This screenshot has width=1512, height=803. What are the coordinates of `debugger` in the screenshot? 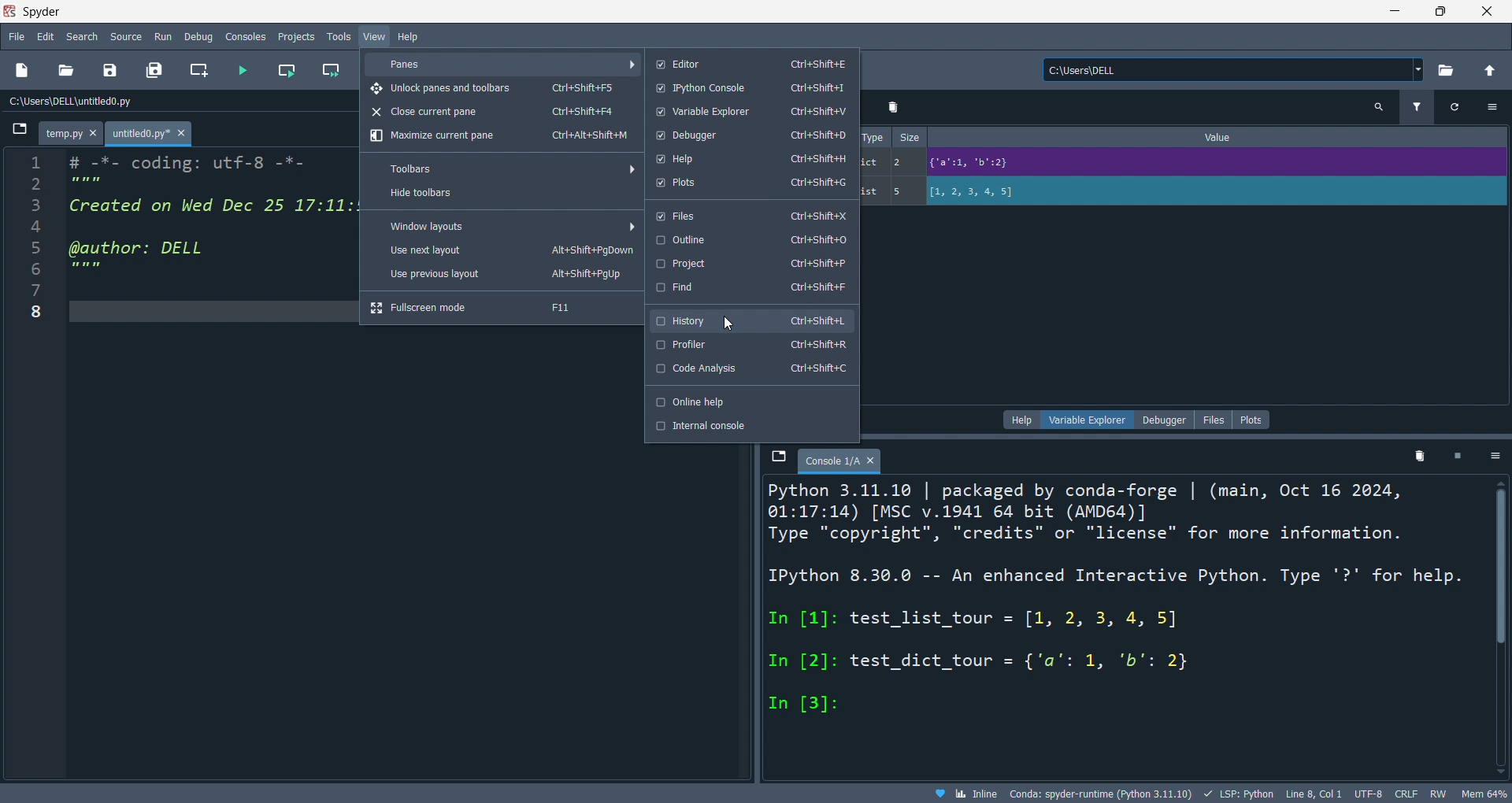 It's located at (1164, 420).